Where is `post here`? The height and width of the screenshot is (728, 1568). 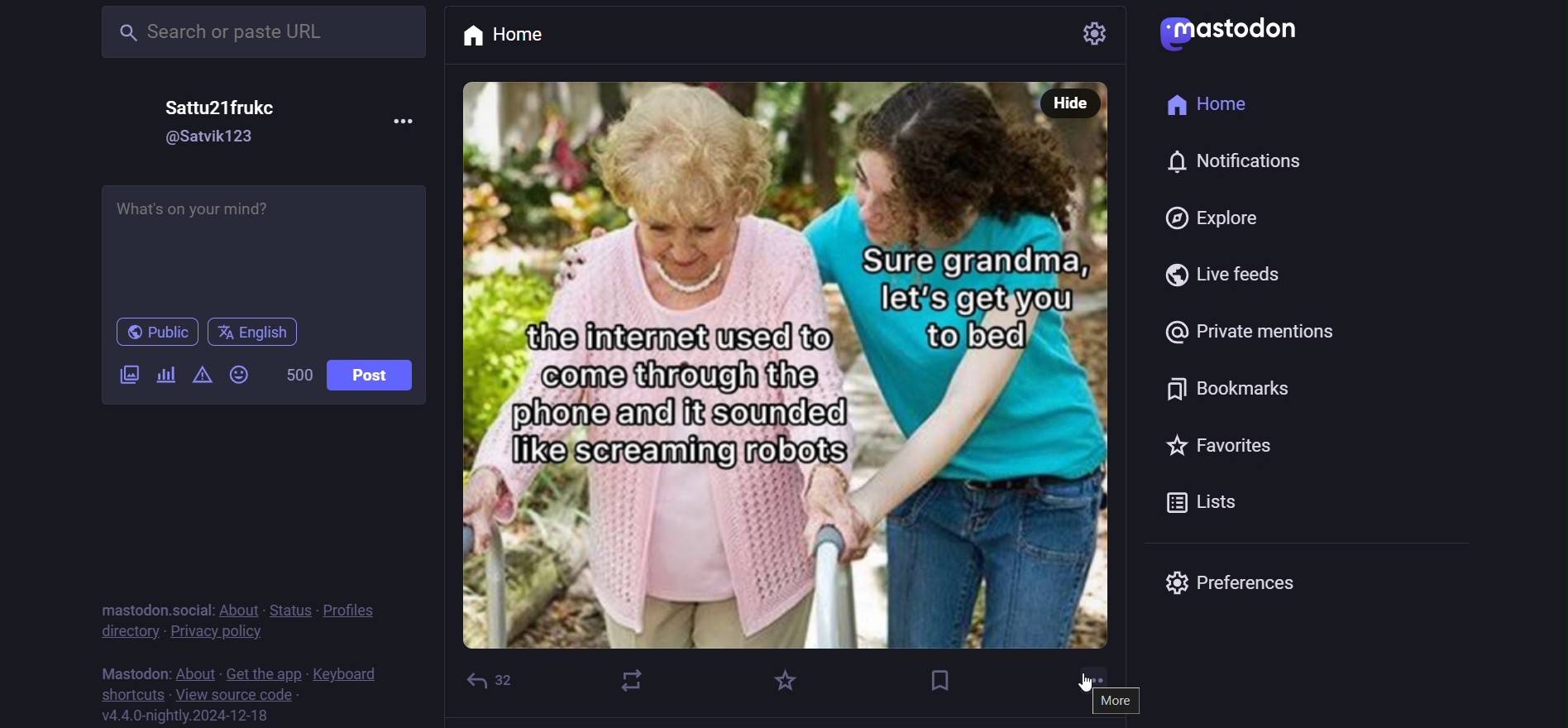
post here is located at coordinates (264, 246).